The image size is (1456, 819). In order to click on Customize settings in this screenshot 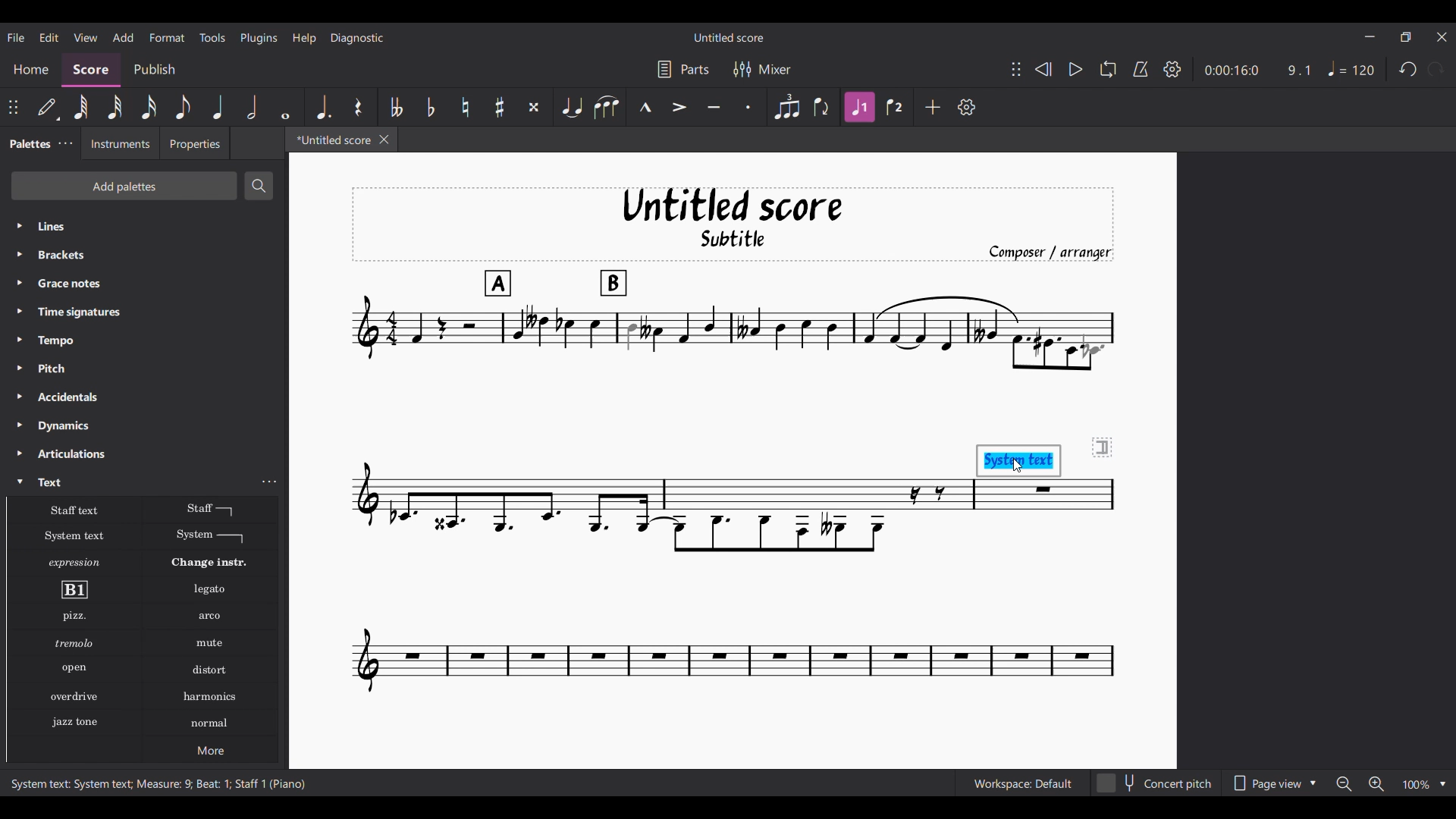, I will do `click(967, 107)`.